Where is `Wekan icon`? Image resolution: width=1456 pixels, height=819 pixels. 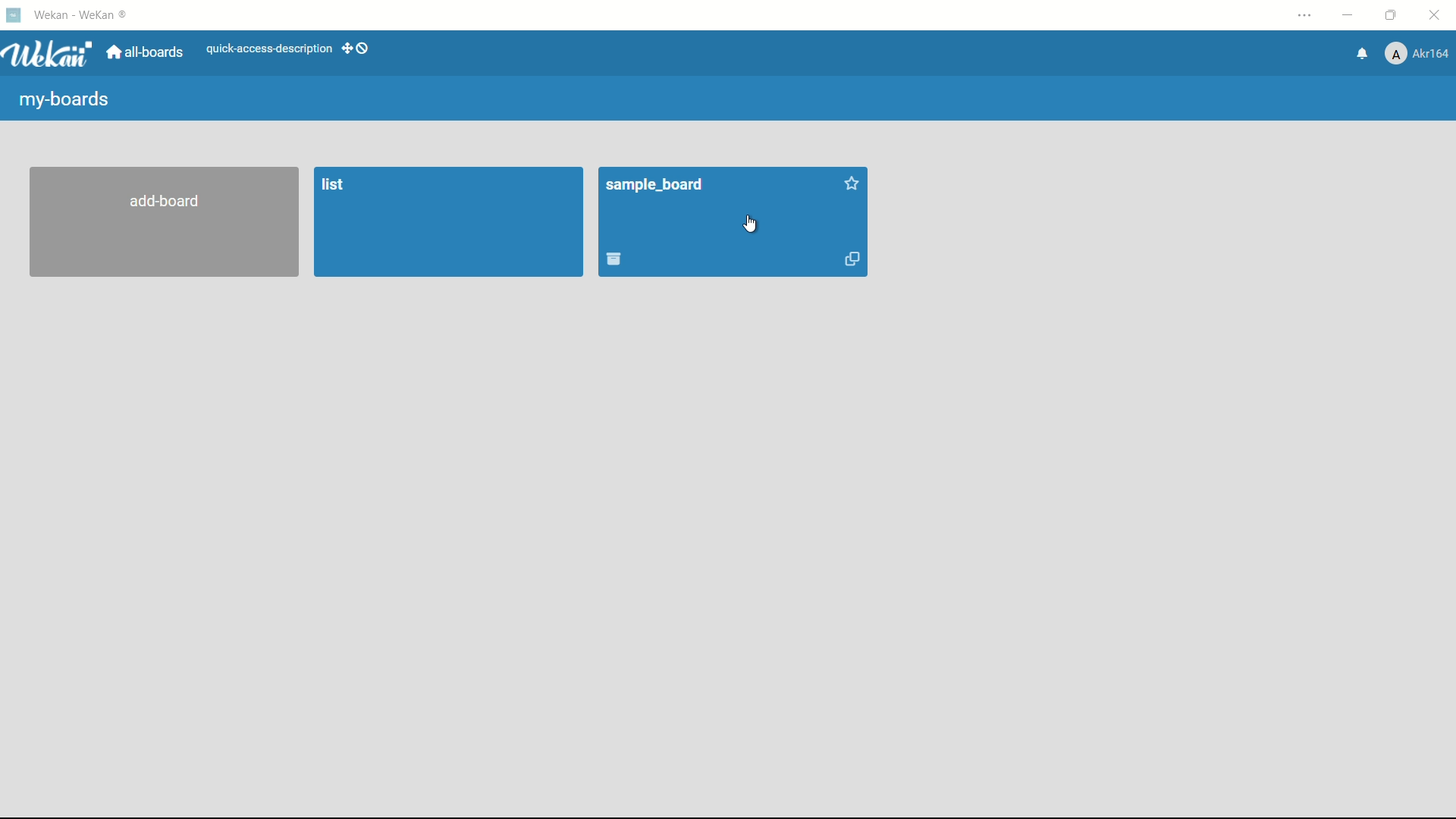
Wekan icon is located at coordinates (14, 14).